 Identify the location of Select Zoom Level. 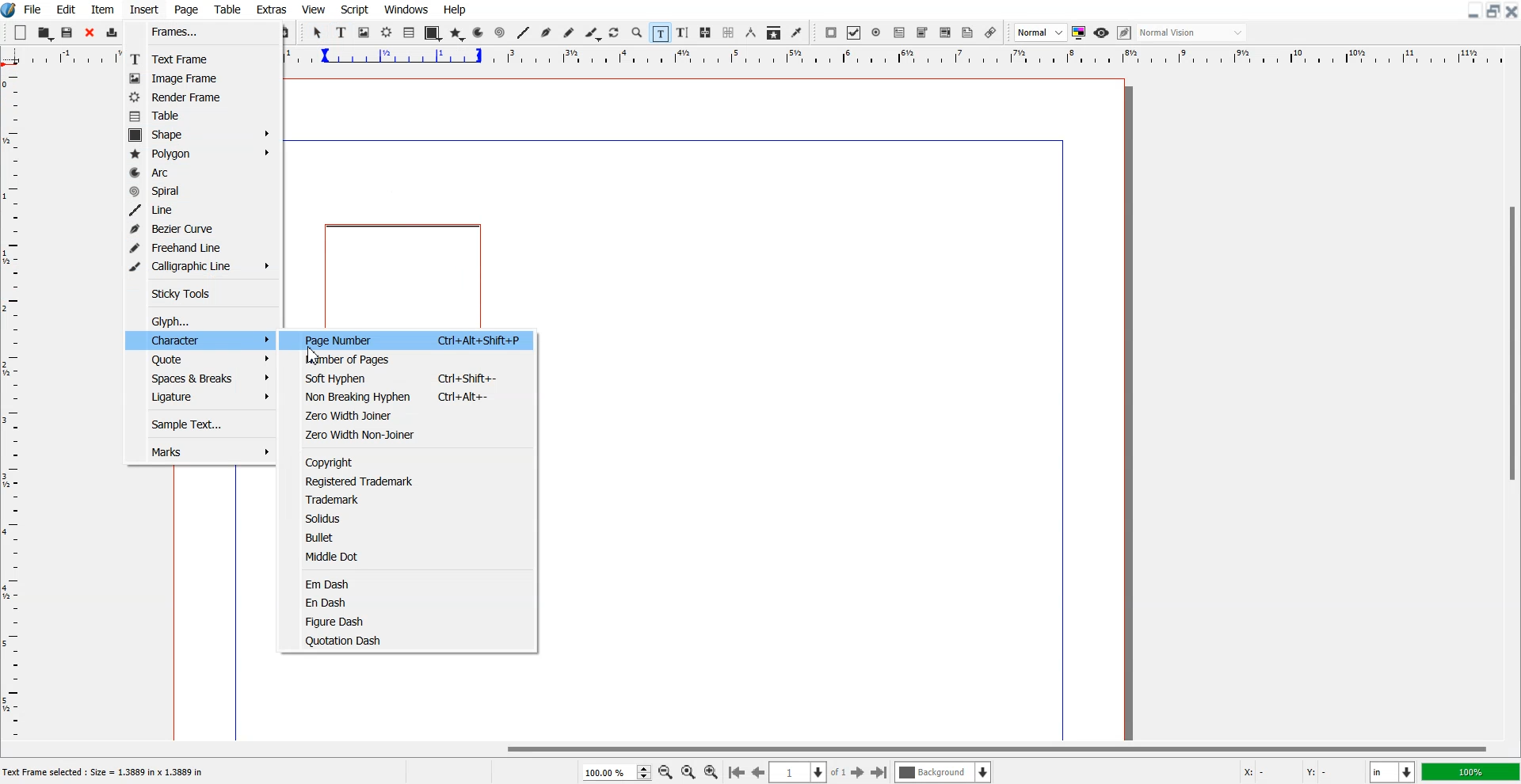
(618, 772).